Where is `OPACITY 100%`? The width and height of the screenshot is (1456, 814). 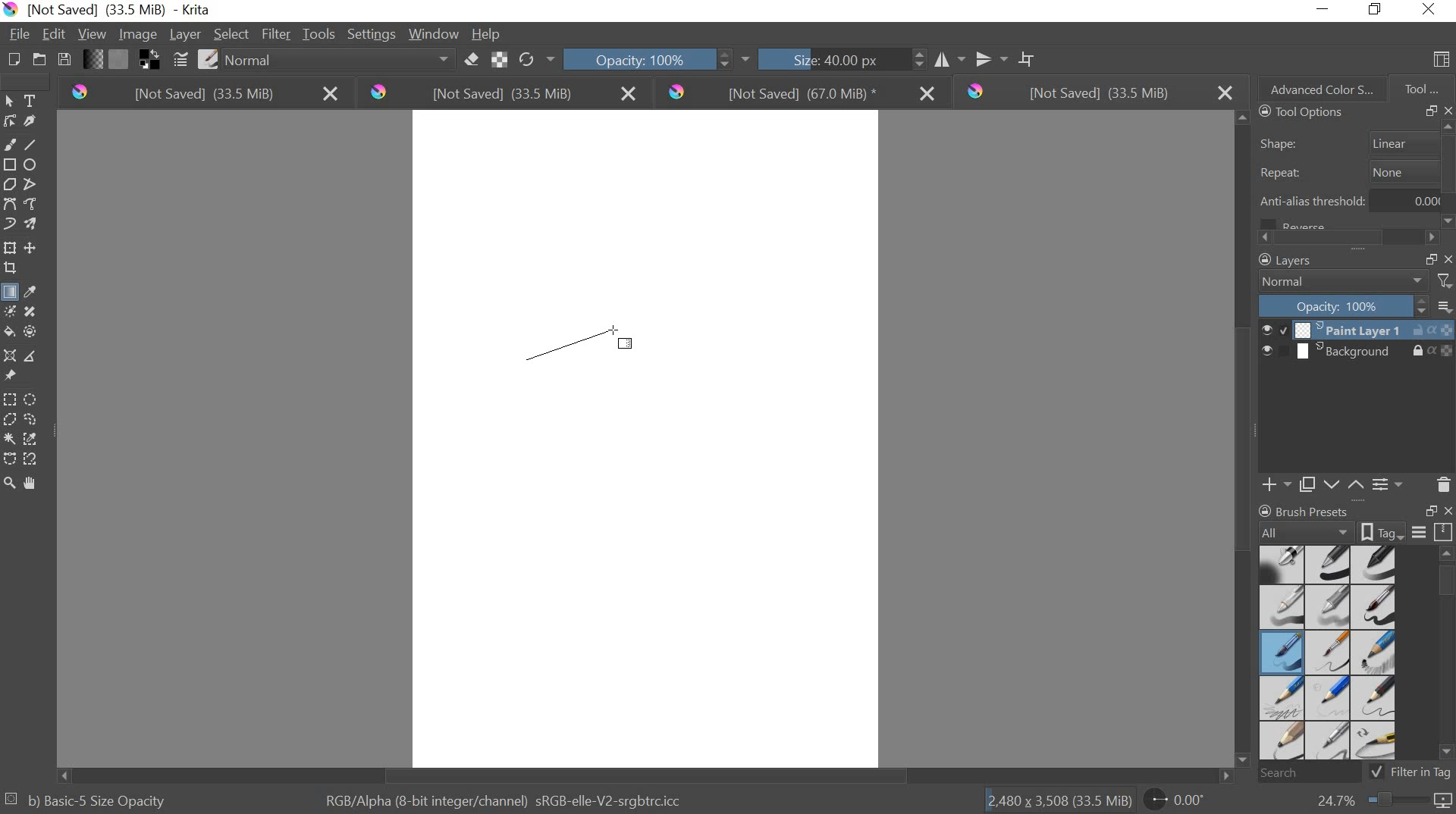 OPACITY 100% is located at coordinates (648, 58).